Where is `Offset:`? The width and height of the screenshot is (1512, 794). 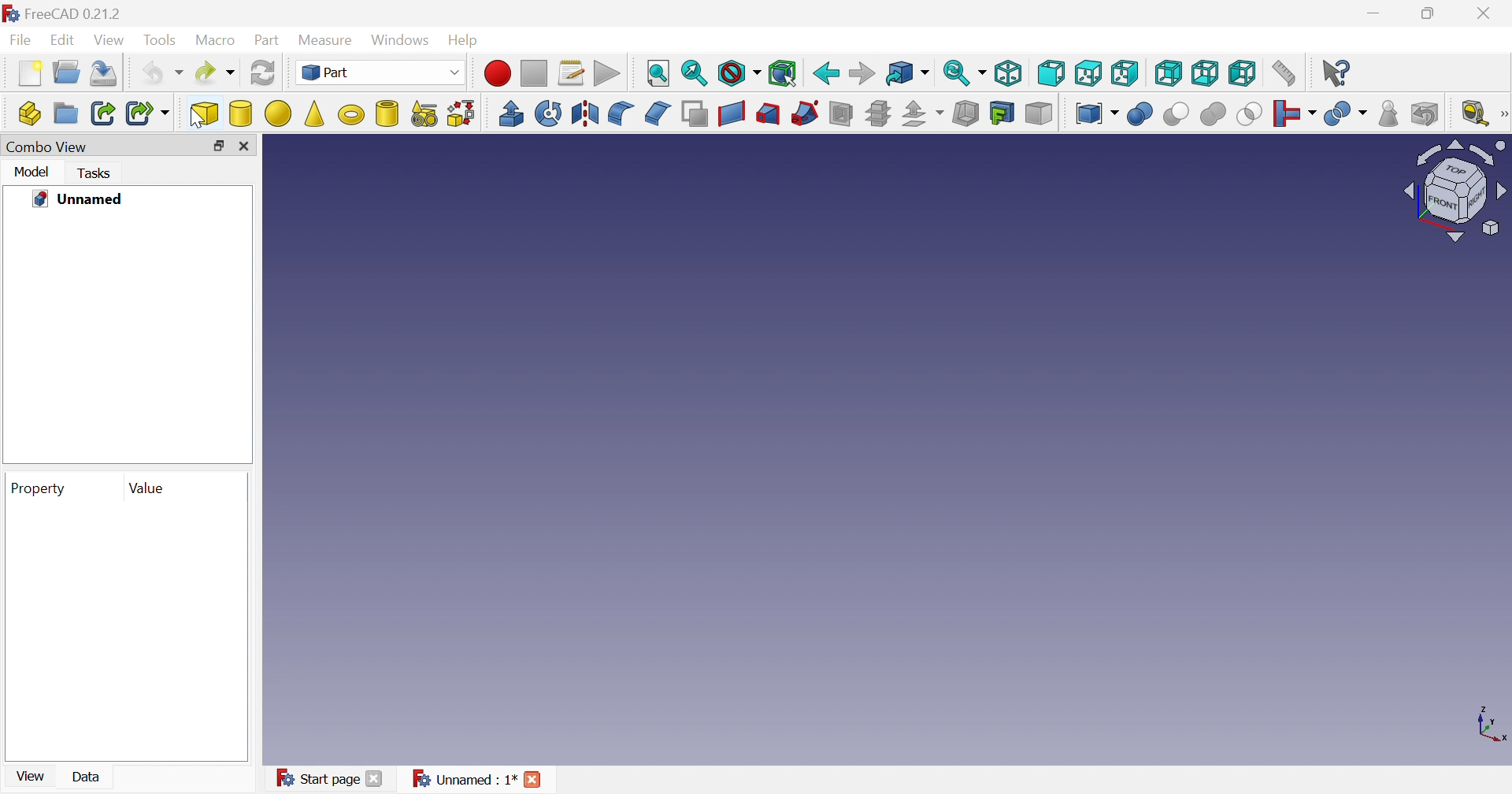
Offset: is located at coordinates (925, 113).